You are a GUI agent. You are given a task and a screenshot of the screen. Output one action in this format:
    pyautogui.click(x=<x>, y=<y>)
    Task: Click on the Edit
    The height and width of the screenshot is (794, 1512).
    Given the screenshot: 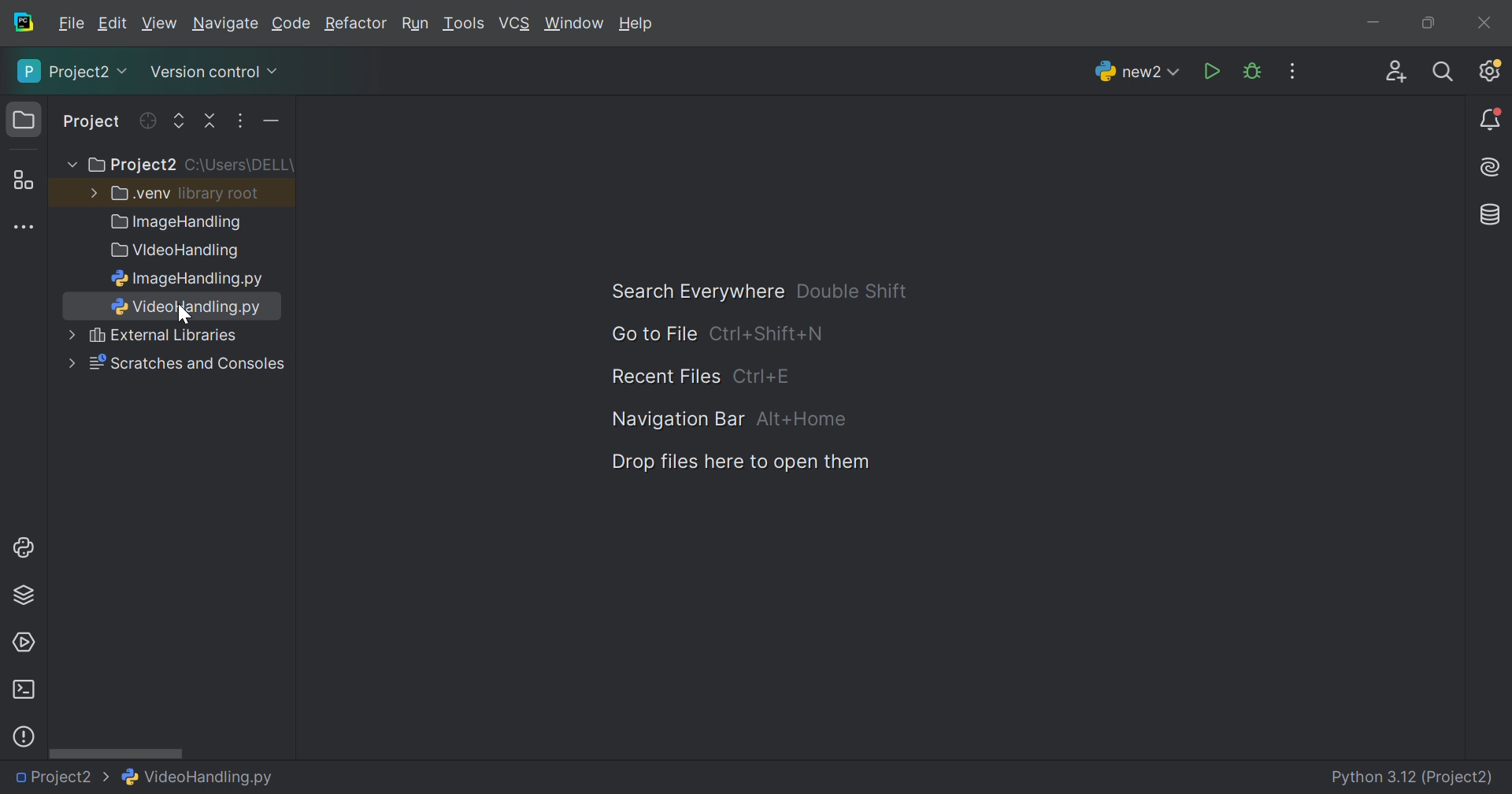 What is the action you would take?
    pyautogui.click(x=112, y=24)
    